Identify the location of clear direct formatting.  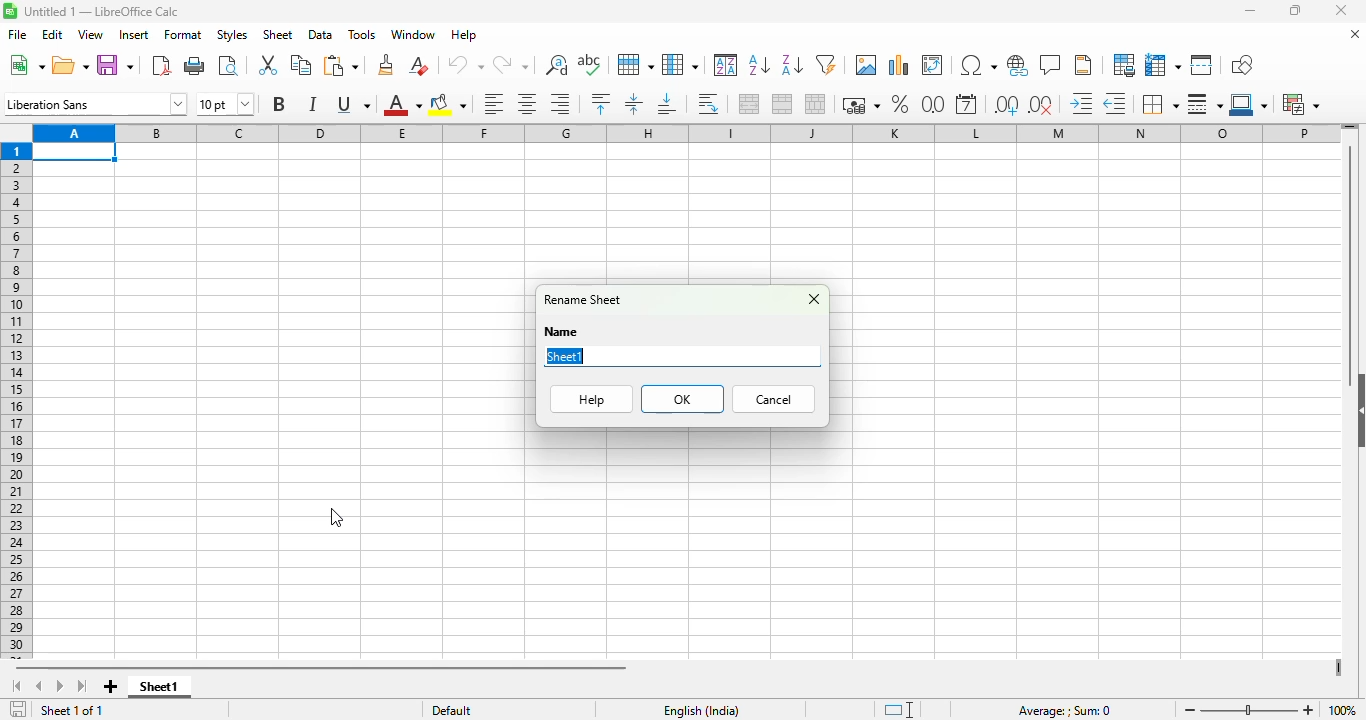
(418, 64).